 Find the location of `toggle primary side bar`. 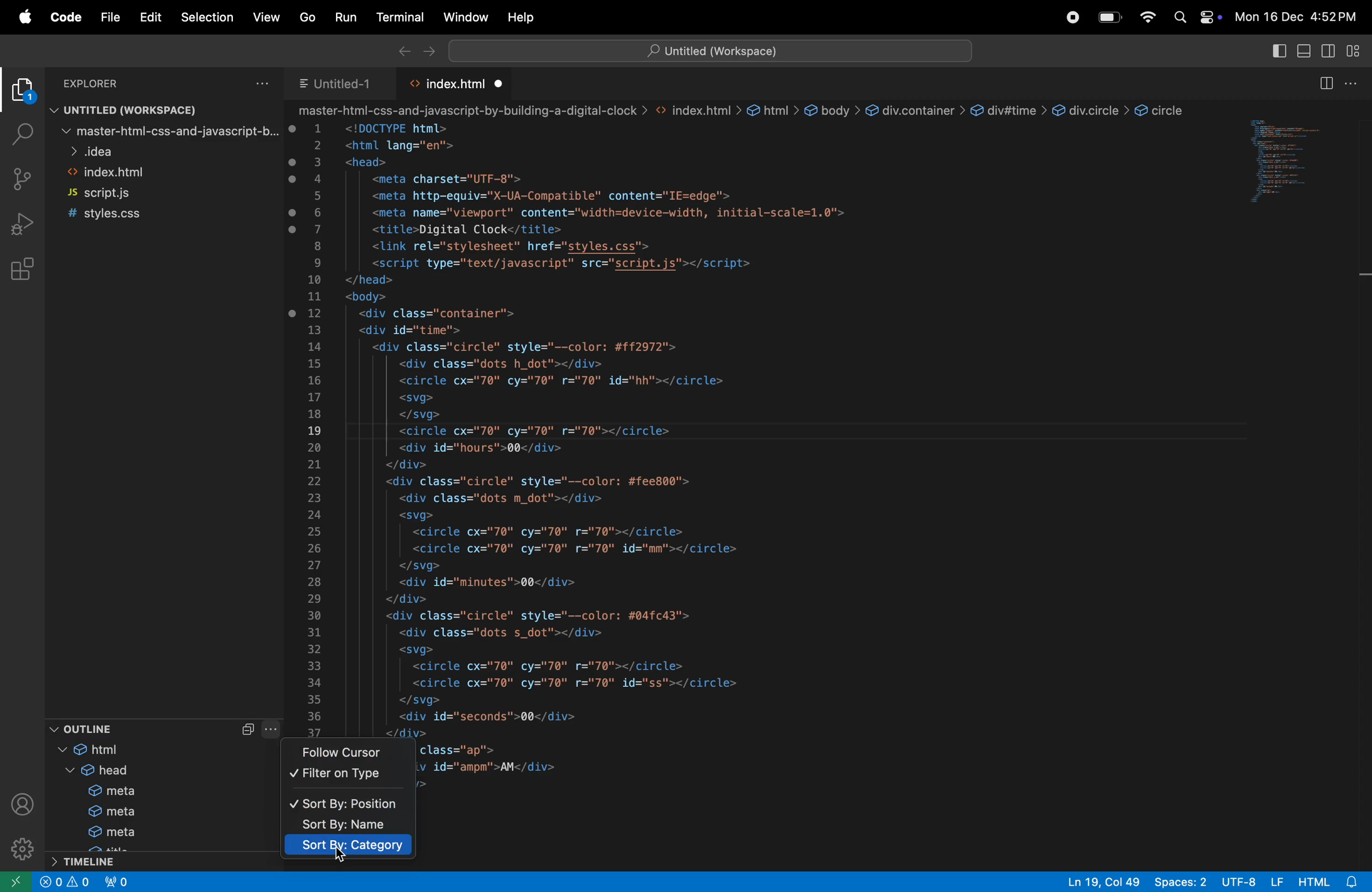

toggle primary side bar is located at coordinates (1279, 52).